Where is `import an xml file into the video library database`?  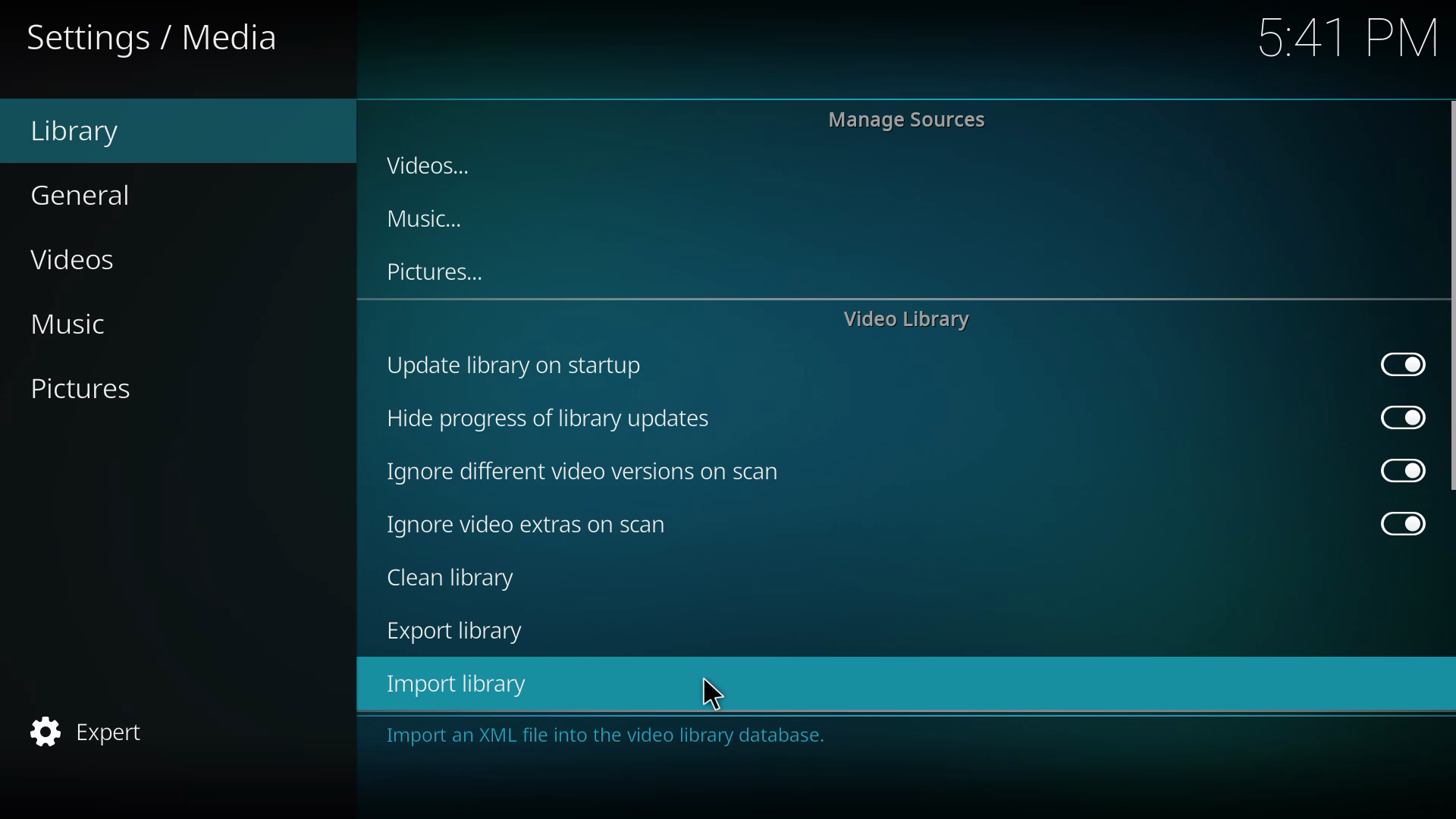 import an xml file into the video library database is located at coordinates (613, 736).